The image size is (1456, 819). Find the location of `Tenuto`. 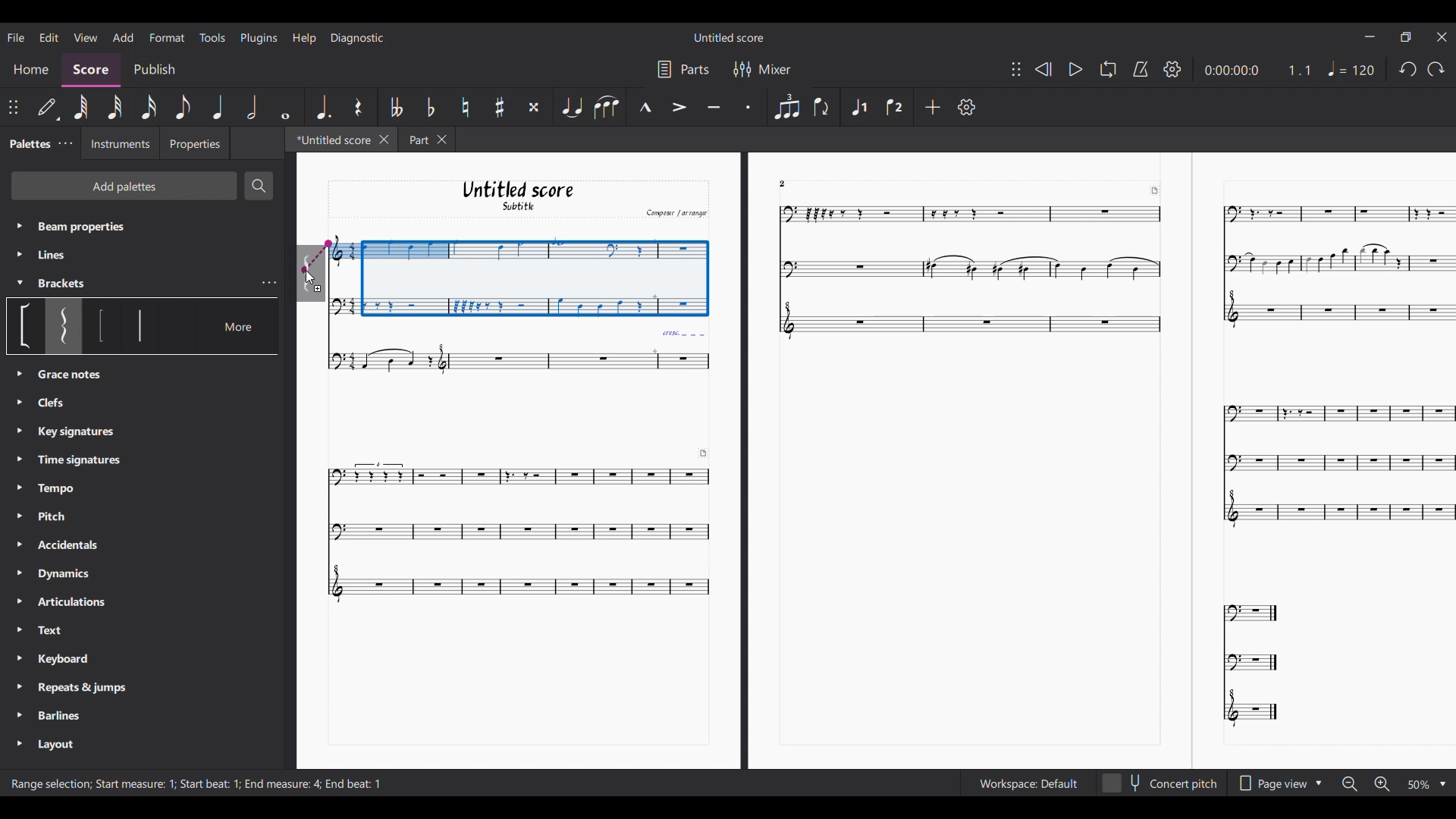

Tenuto is located at coordinates (713, 105).